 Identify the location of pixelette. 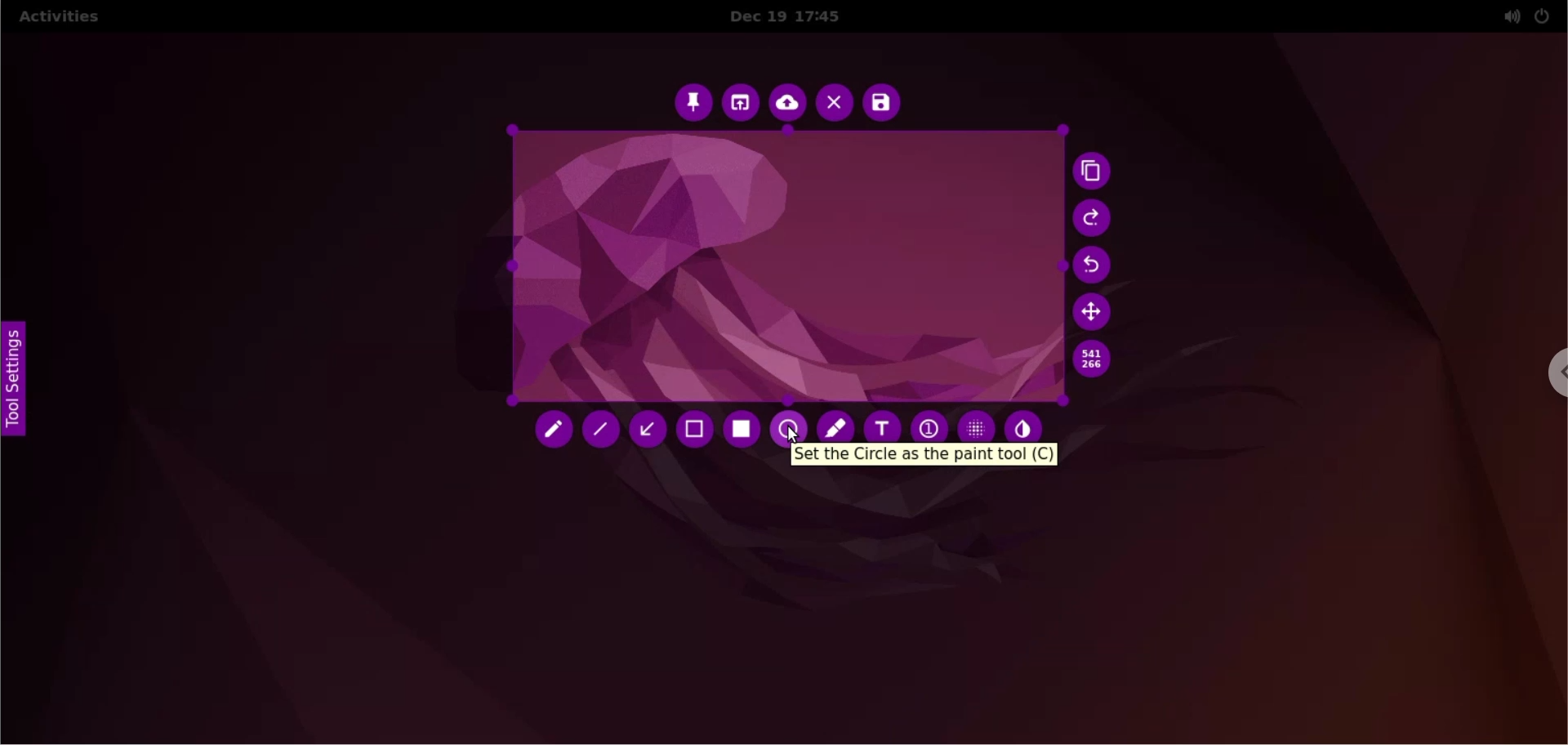
(977, 422).